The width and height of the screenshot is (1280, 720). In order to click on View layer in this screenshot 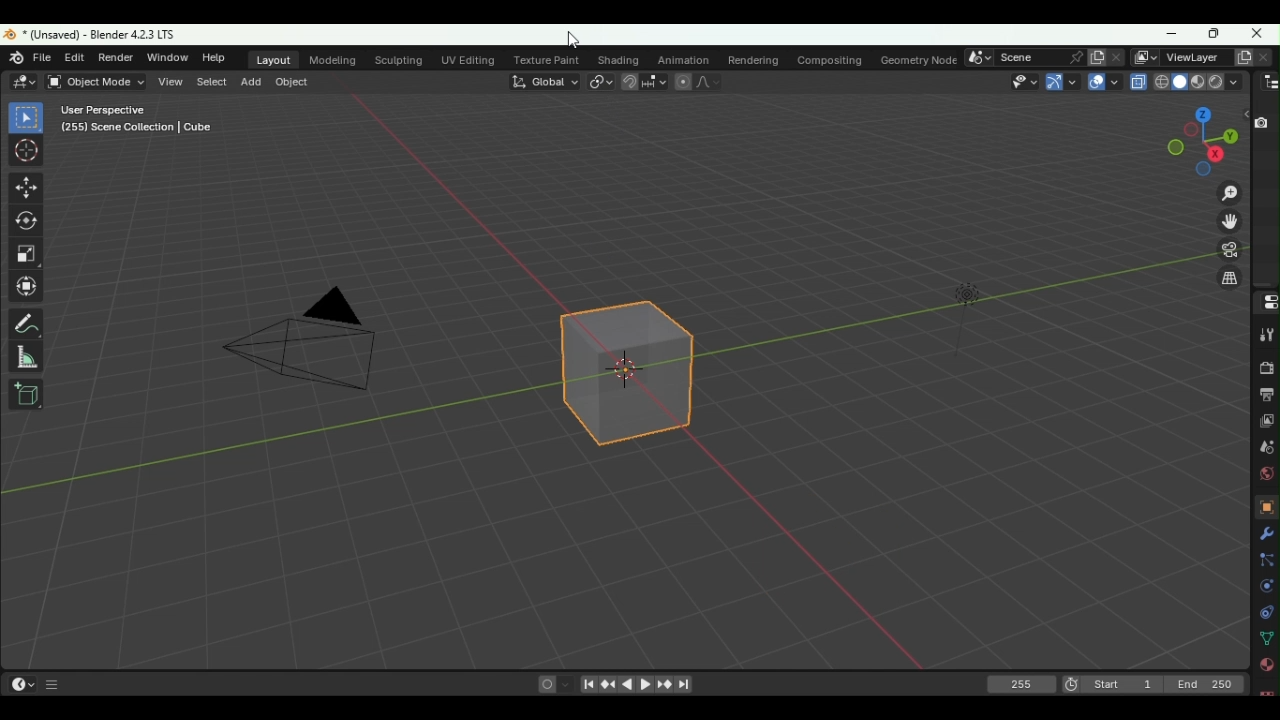, I will do `click(1266, 423)`.